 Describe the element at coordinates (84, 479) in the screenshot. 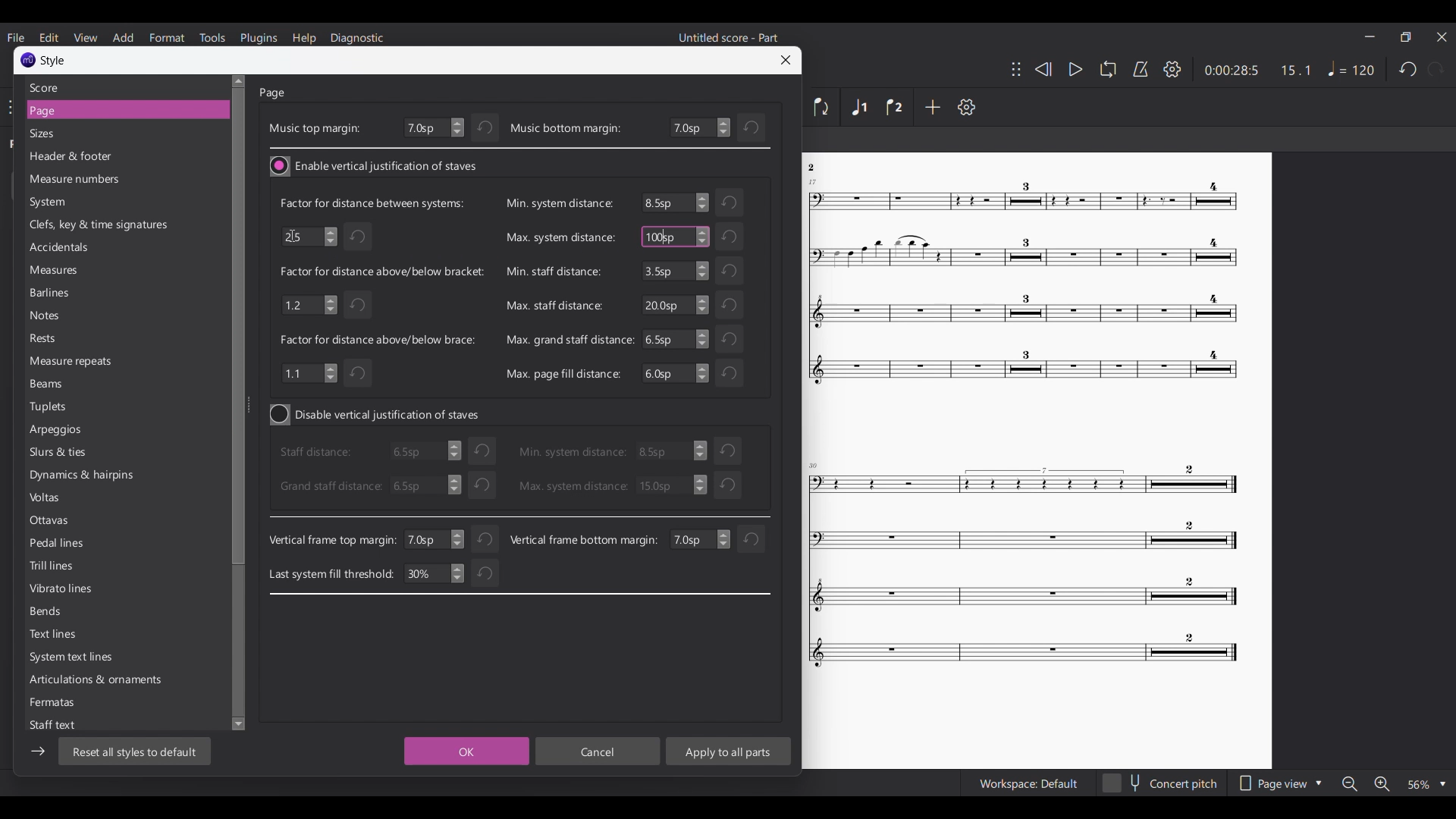

I see `Dynamics & haipins` at that location.